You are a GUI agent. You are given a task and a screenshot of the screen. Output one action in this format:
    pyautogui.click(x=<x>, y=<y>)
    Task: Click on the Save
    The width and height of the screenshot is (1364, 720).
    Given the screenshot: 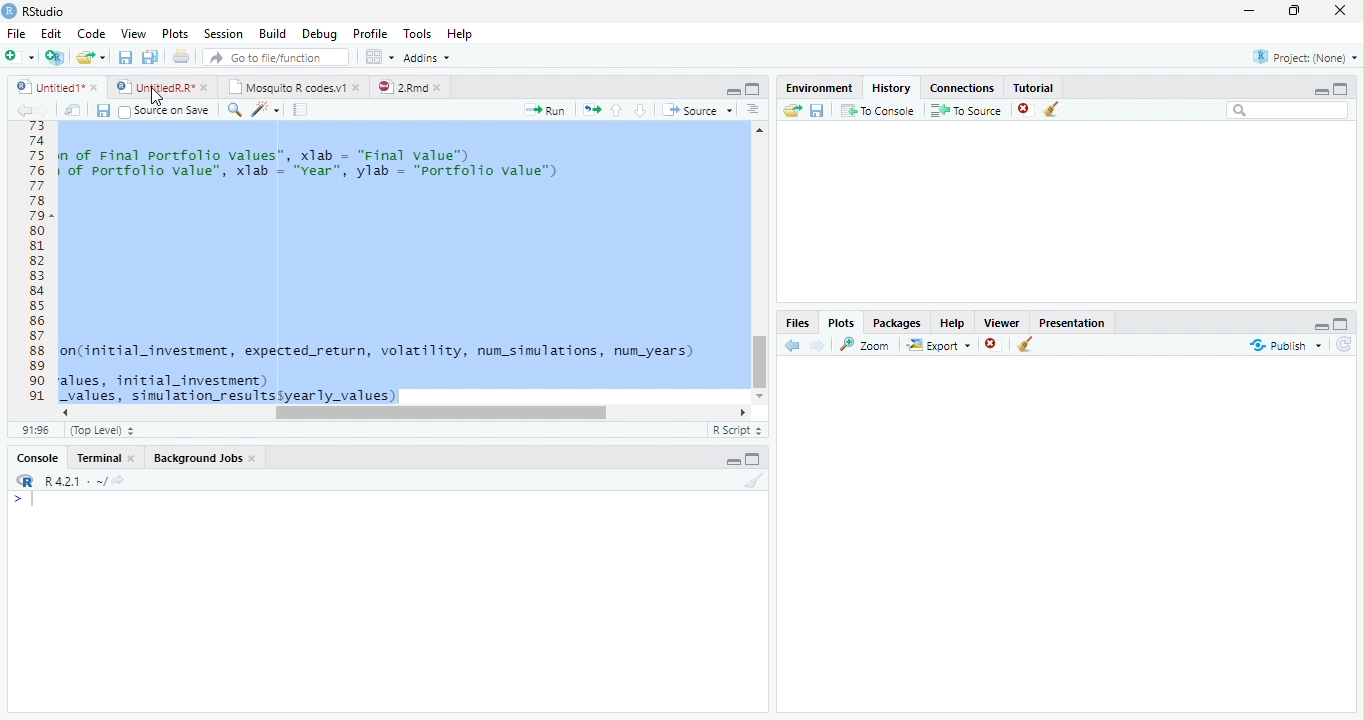 What is the action you would take?
    pyautogui.click(x=817, y=110)
    